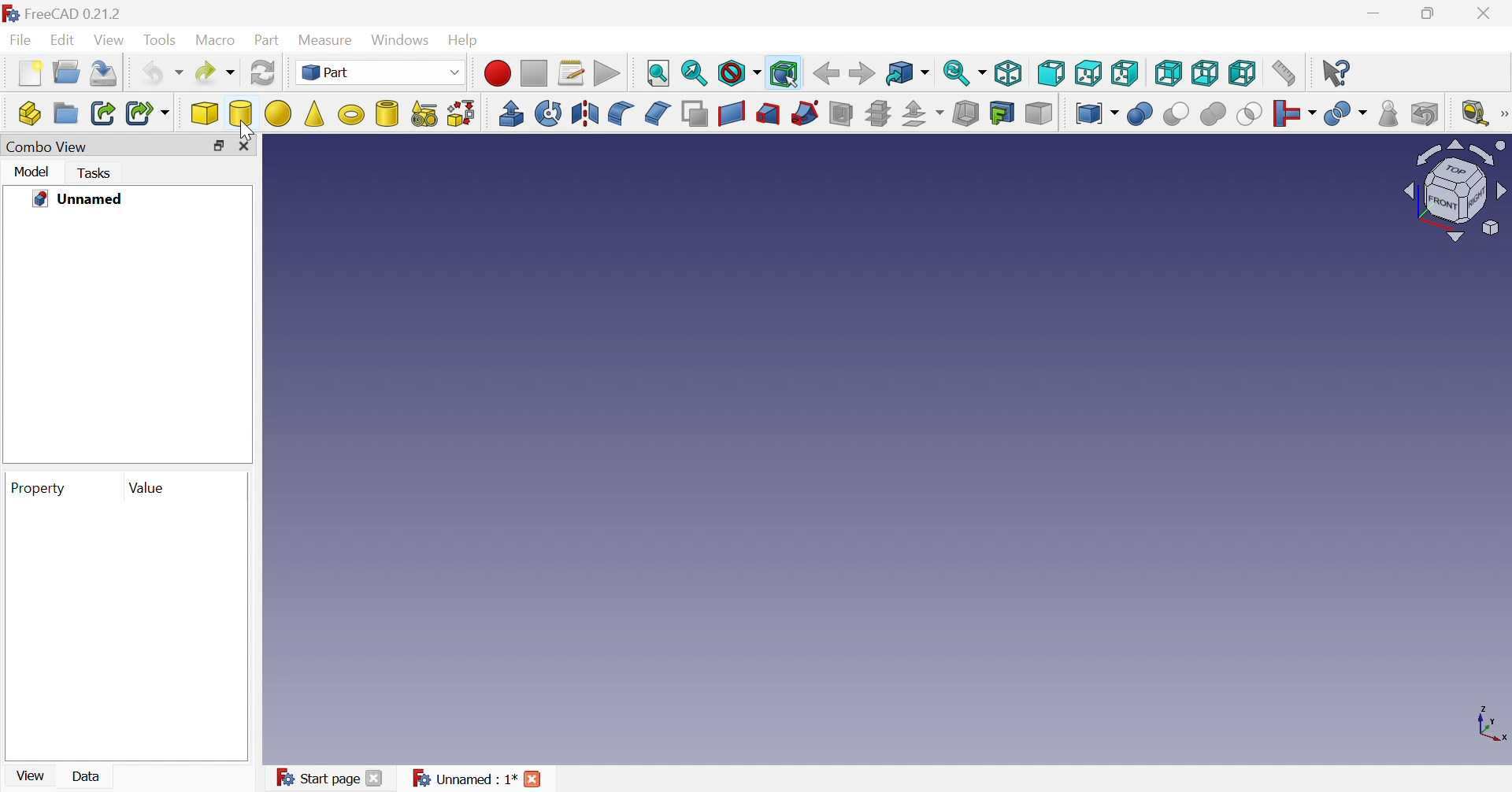  Describe the element at coordinates (1347, 113) in the screenshot. I see `Split objects` at that location.